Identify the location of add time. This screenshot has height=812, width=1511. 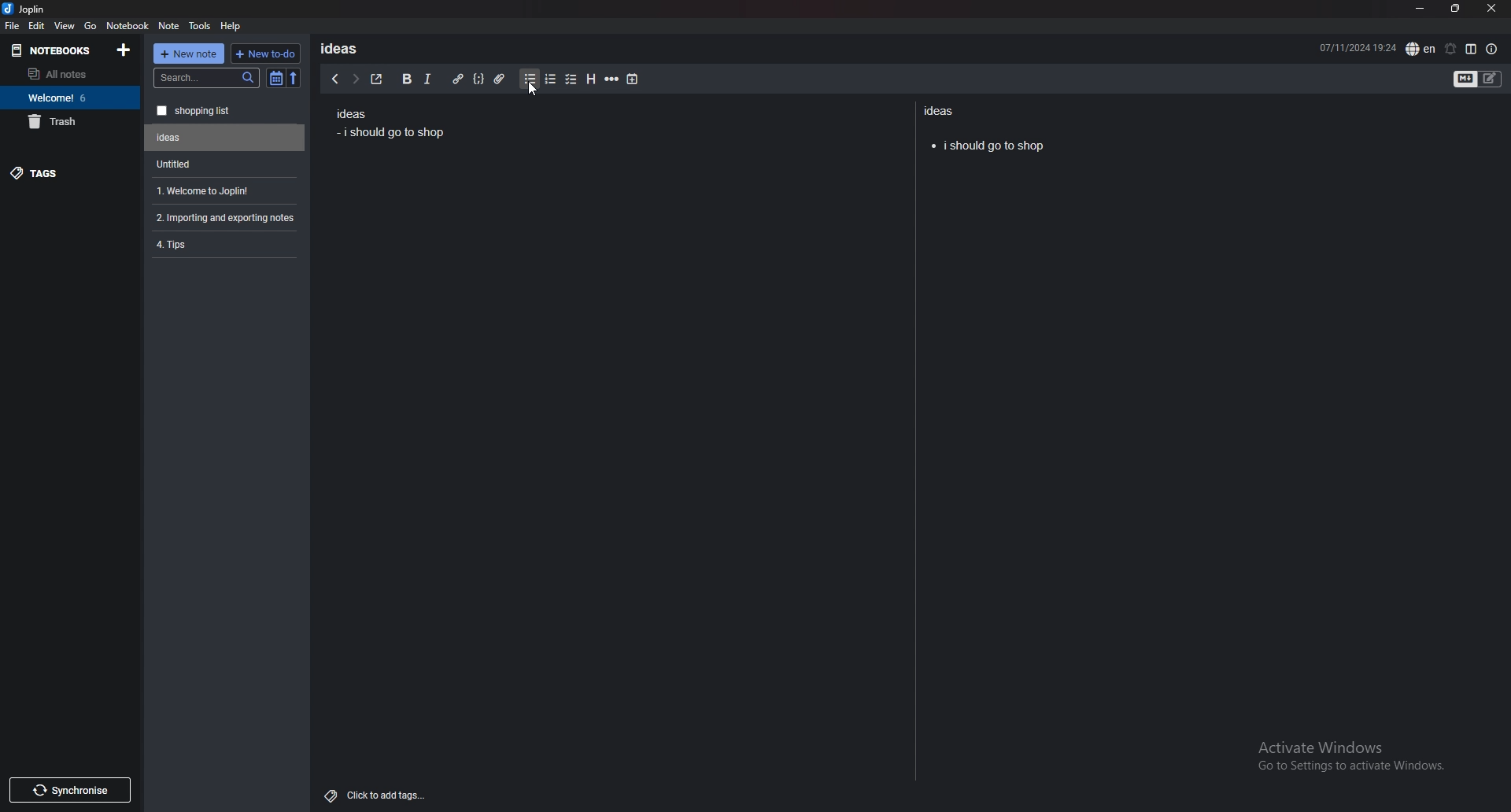
(634, 79).